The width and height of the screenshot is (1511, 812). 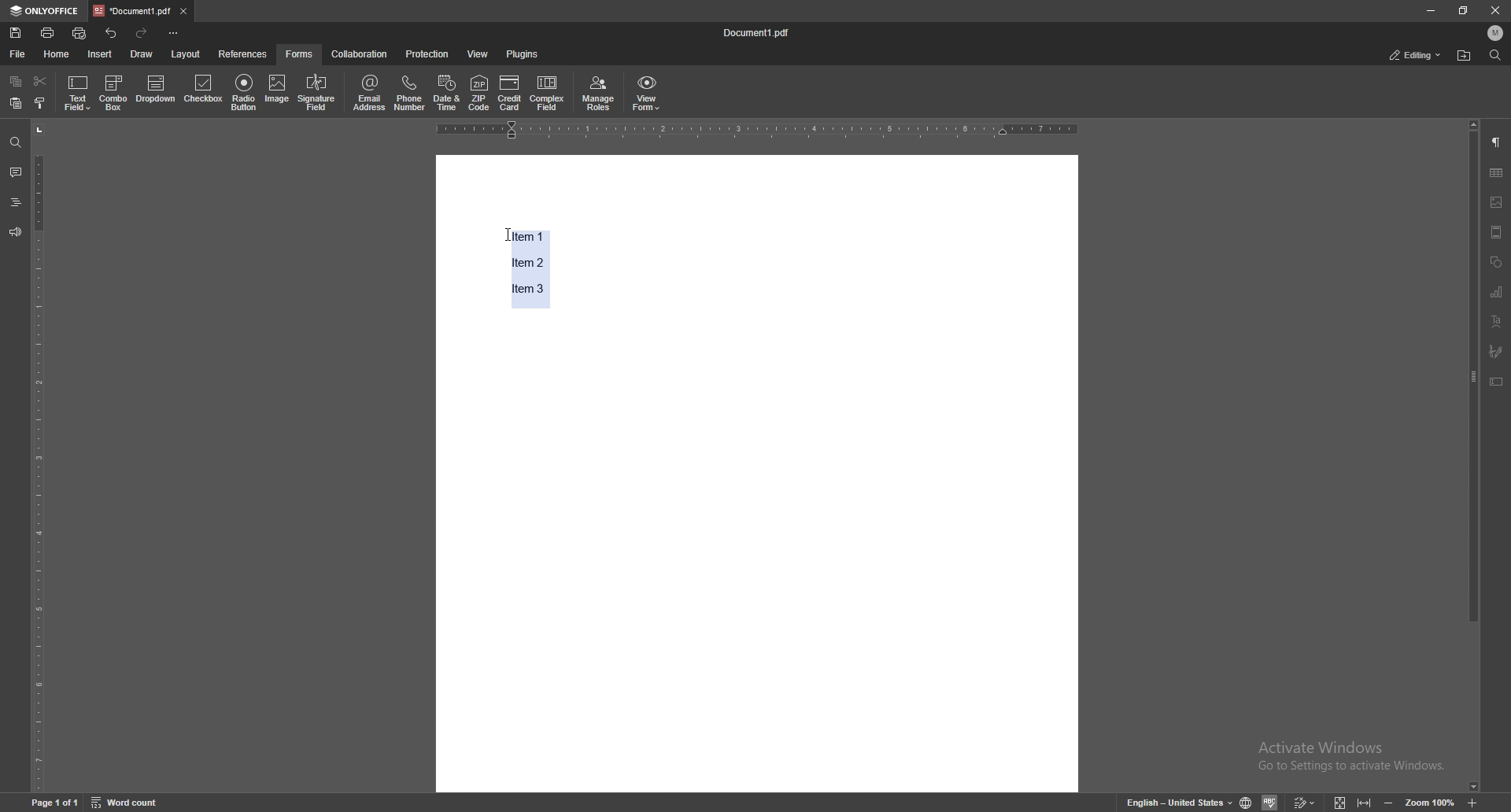 What do you see at coordinates (1269, 802) in the screenshot?
I see `spell check` at bounding box center [1269, 802].